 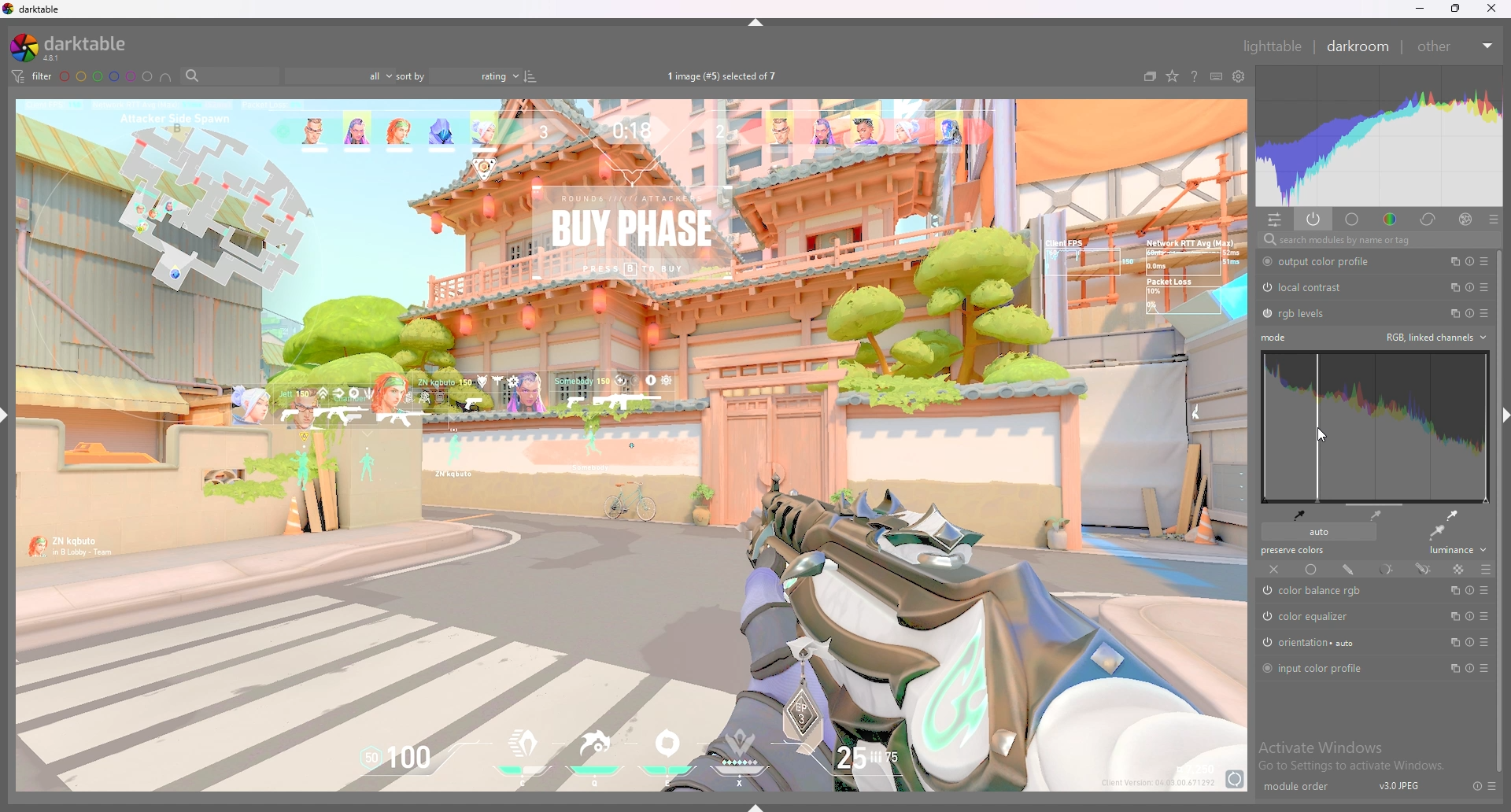 What do you see at coordinates (1487, 569) in the screenshot?
I see `blending options` at bounding box center [1487, 569].